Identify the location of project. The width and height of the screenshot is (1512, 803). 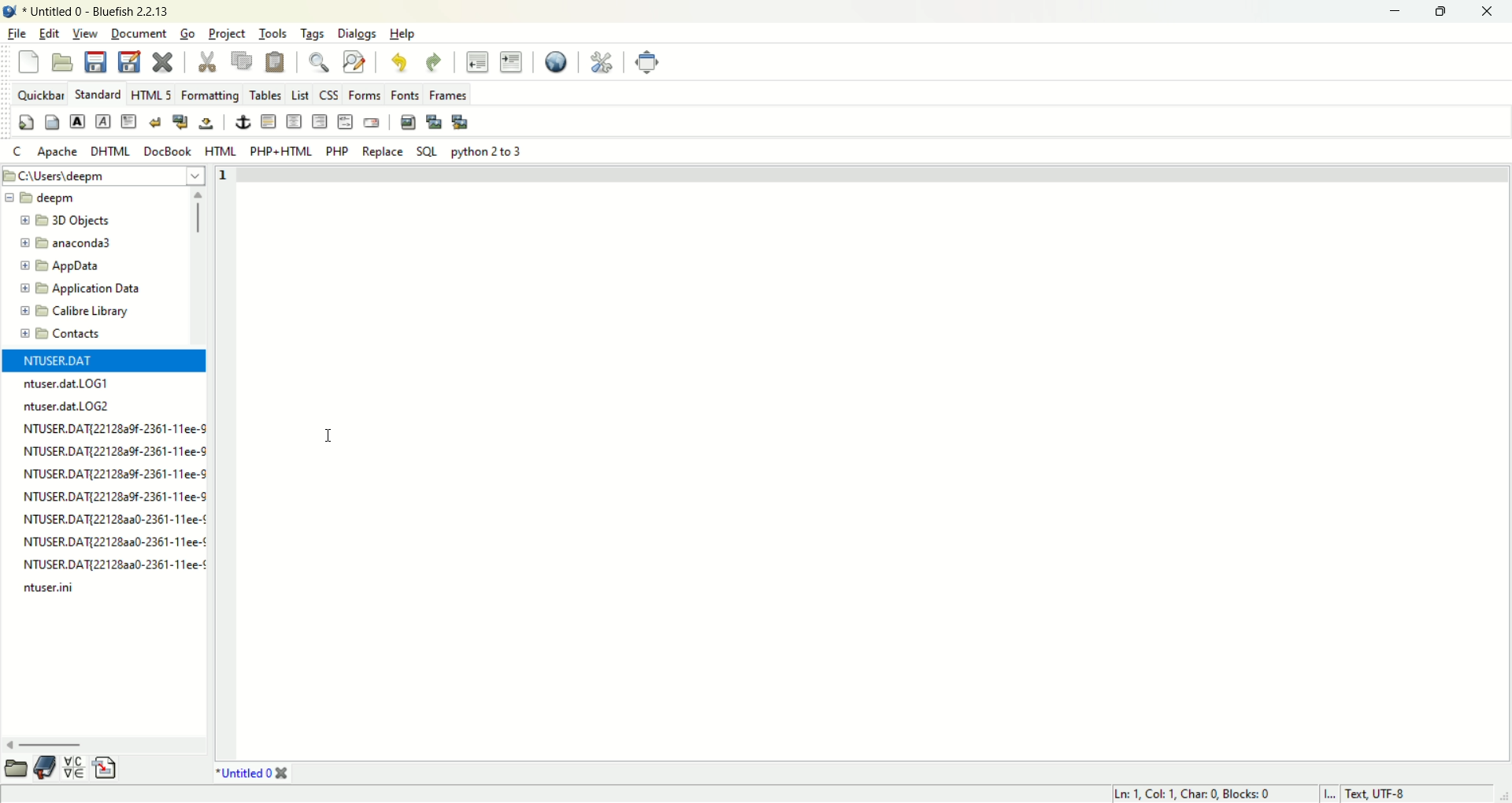
(228, 33).